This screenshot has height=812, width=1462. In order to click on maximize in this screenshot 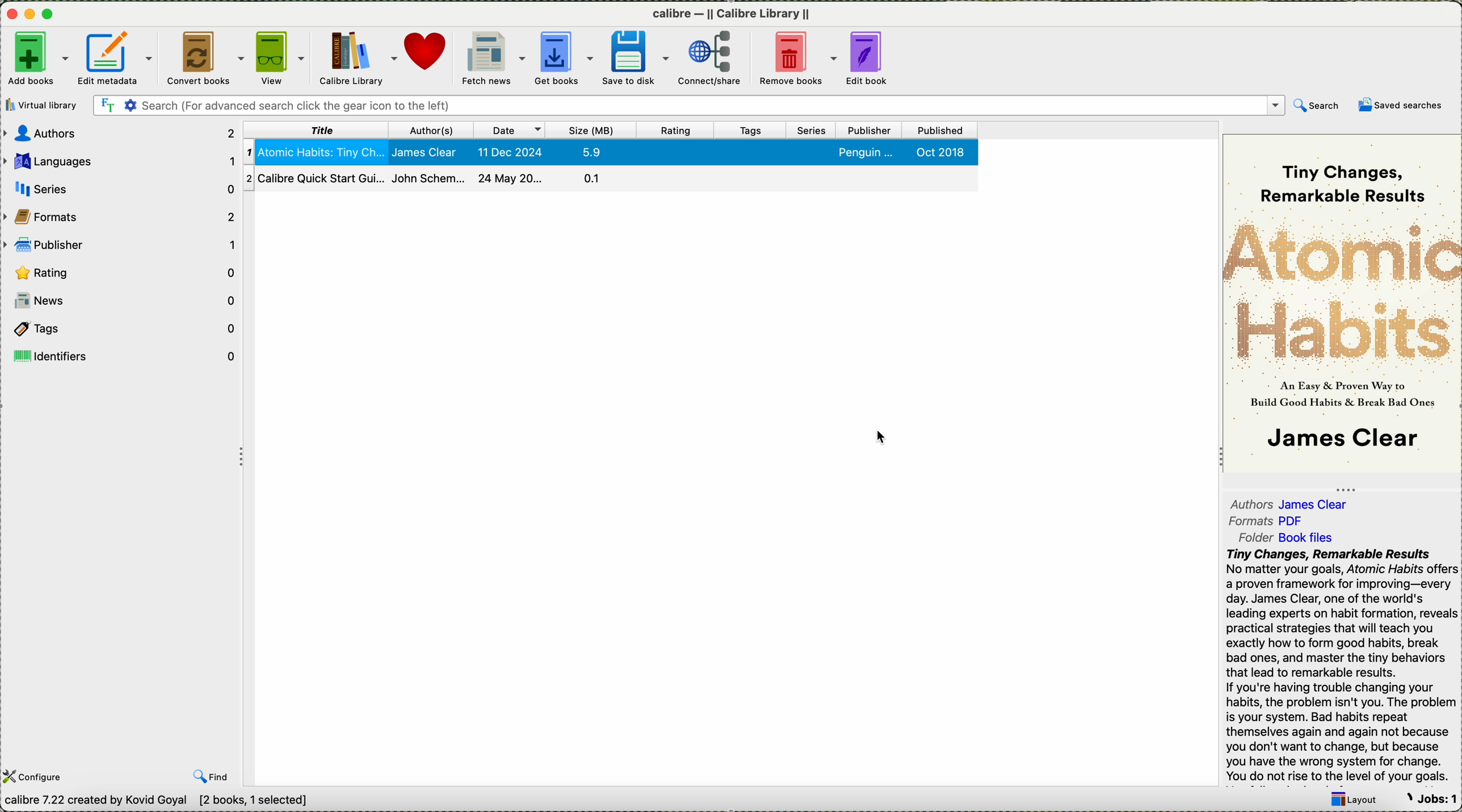, I will do `click(50, 14)`.